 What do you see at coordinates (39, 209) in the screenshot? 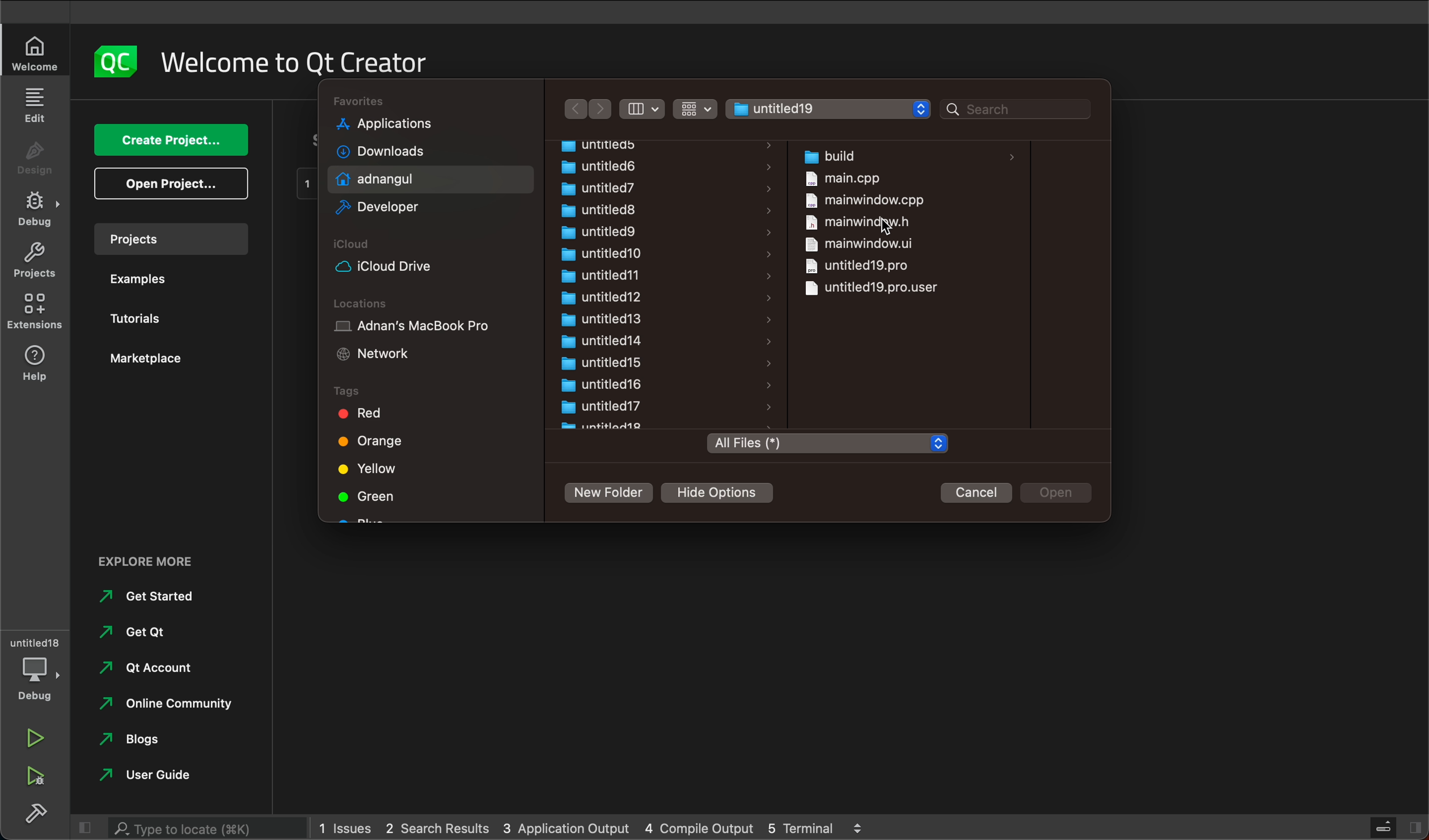
I see `debug` at bounding box center [39, 209].